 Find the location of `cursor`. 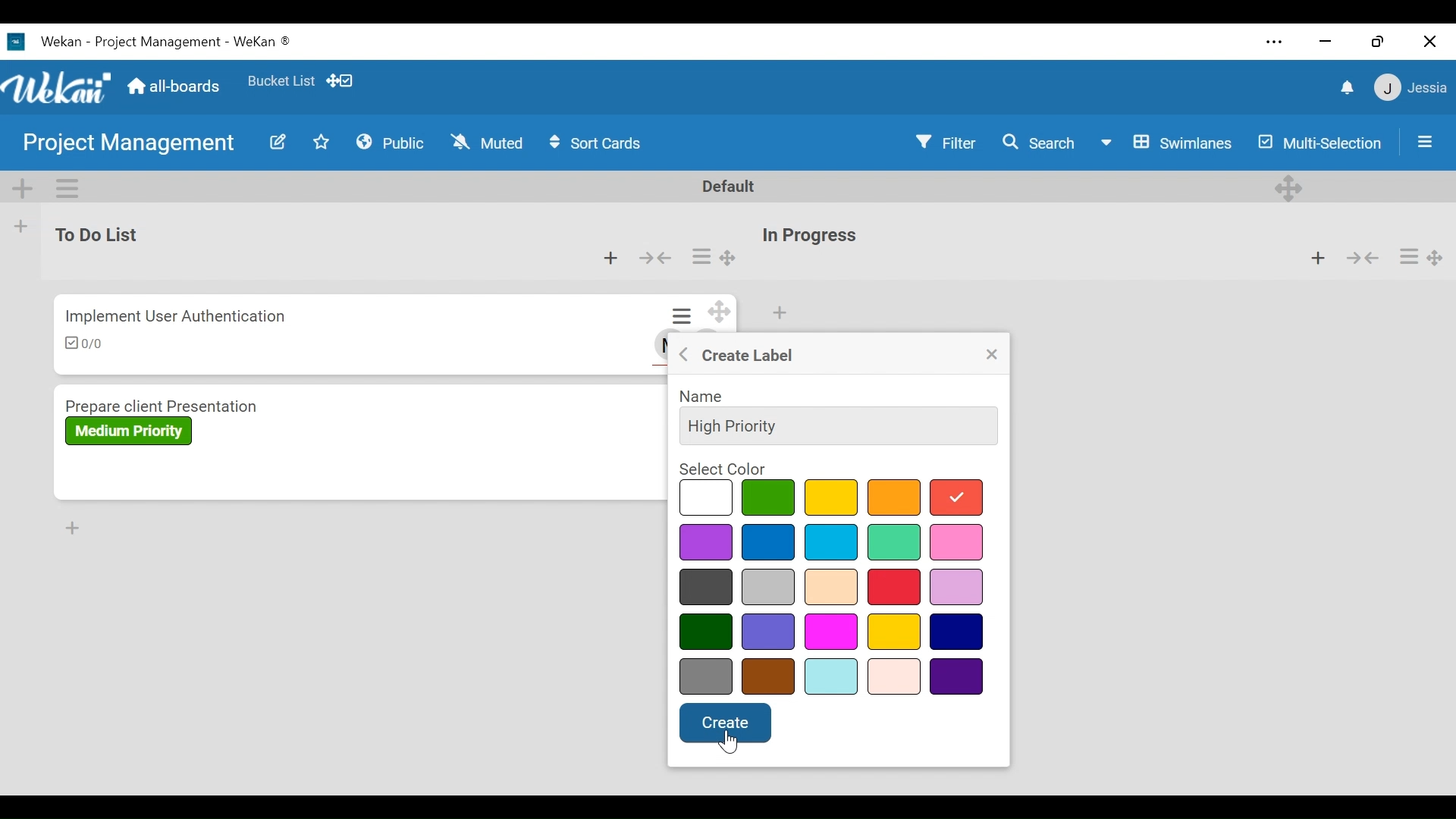

cursor is located at coordinates (733, 741).